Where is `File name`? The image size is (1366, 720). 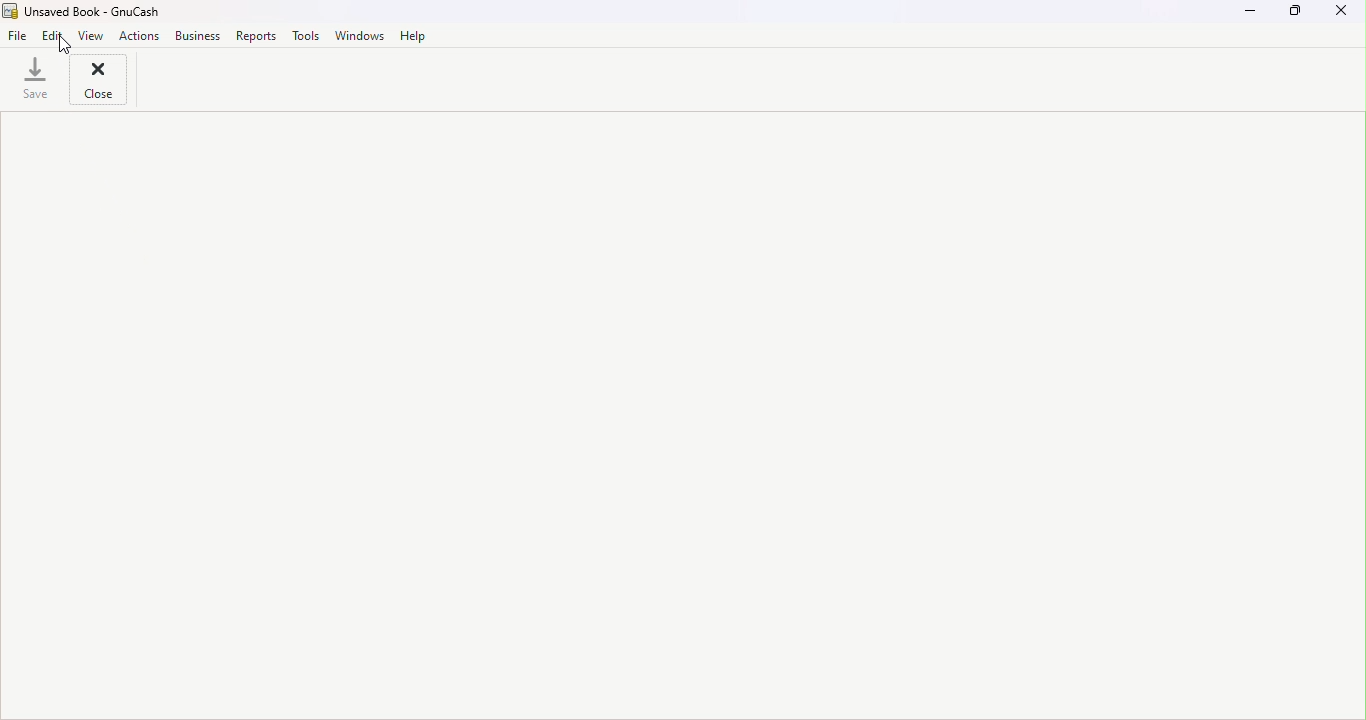
File name is located at coordinates (102, 12).